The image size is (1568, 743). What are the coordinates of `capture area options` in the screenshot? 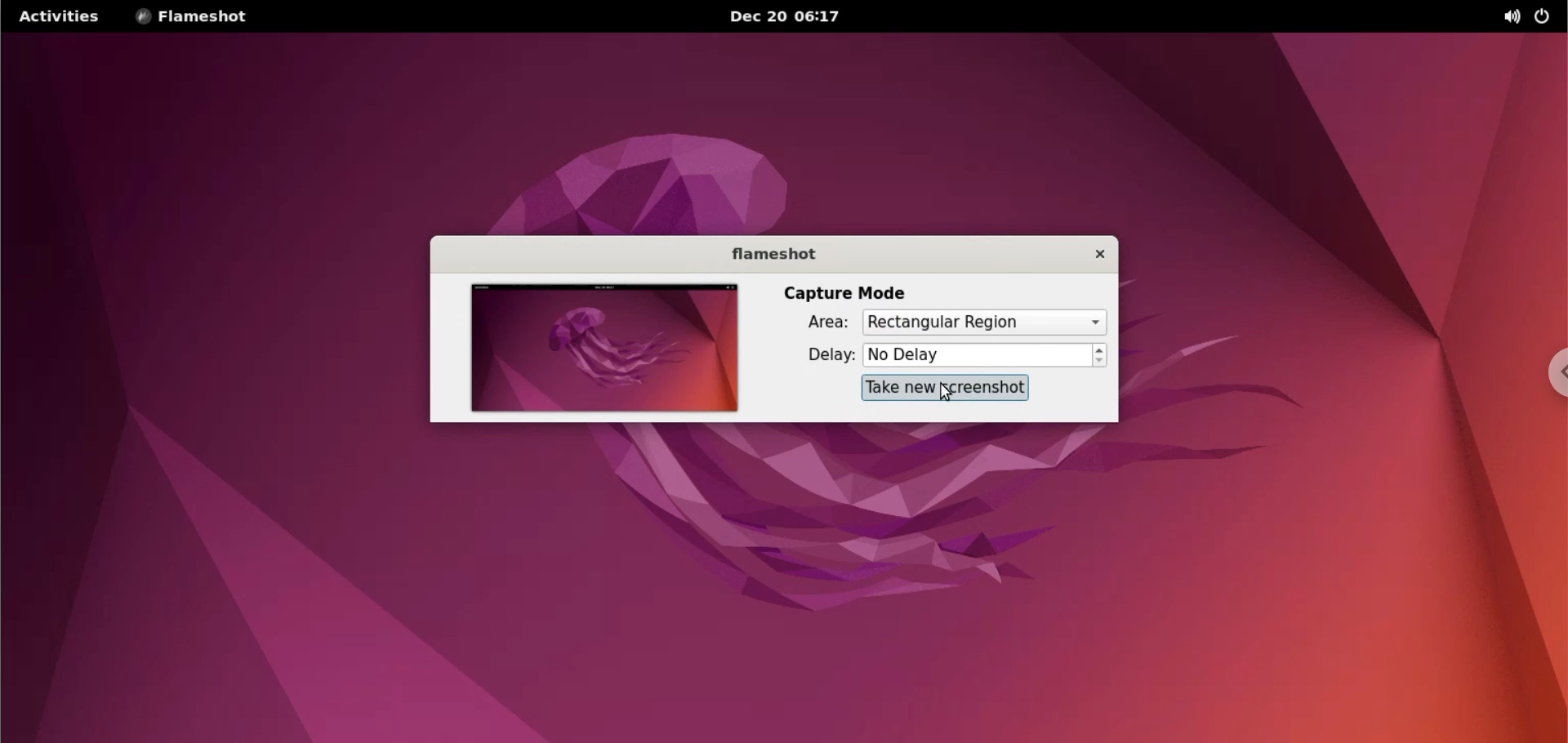 It's located at (983, 323).